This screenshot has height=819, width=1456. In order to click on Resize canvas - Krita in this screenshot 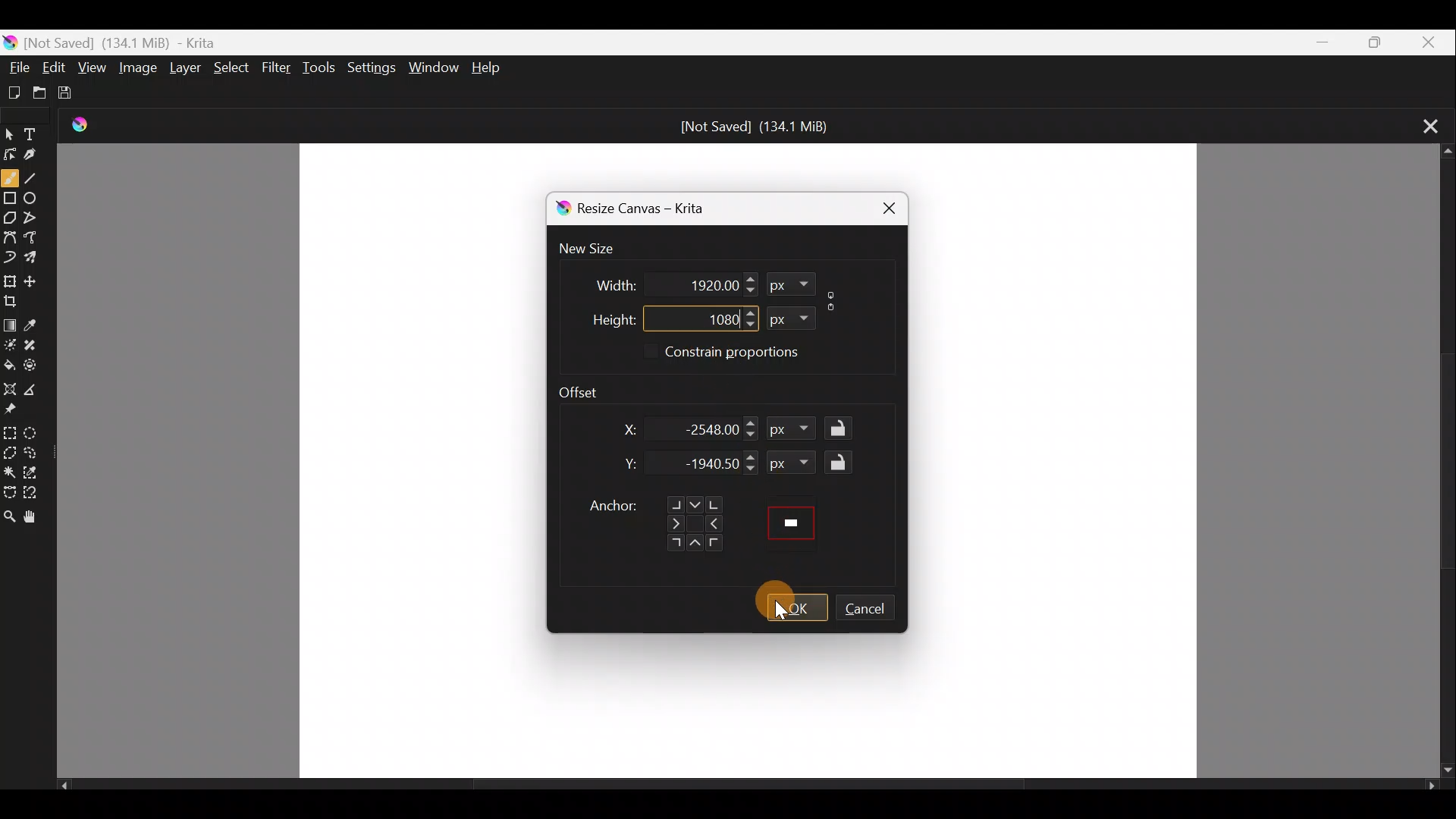, I will do `click(658, 211)`.